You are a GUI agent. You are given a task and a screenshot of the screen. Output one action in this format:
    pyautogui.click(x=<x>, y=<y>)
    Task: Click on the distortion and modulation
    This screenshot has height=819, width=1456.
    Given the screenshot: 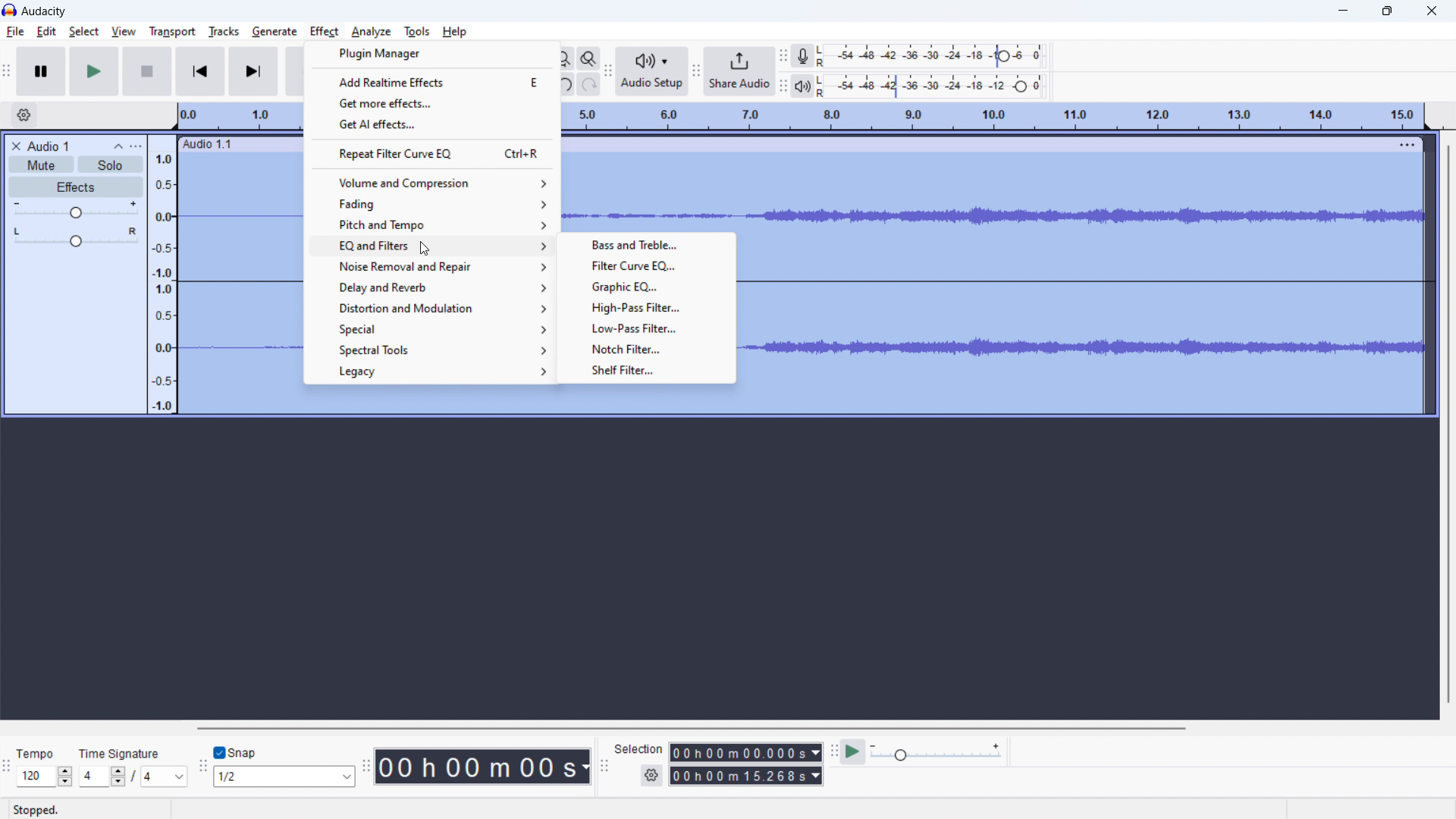 What is the action you would take?
    pyautogui.click(x=430, y=308)
    